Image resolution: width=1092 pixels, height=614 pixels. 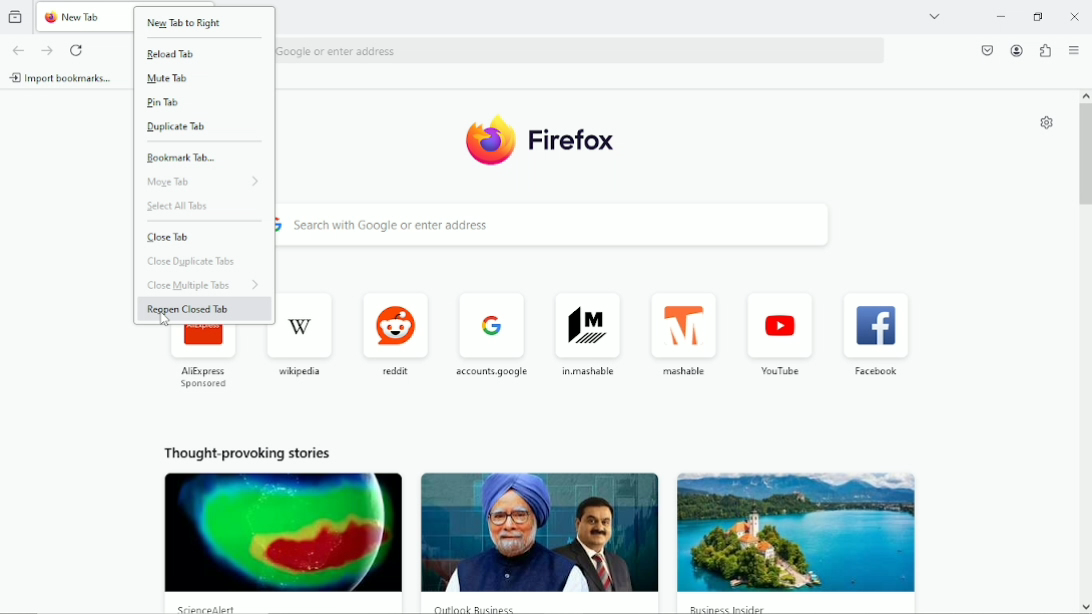 I want to click on science alert, so click(x=210, y=609).